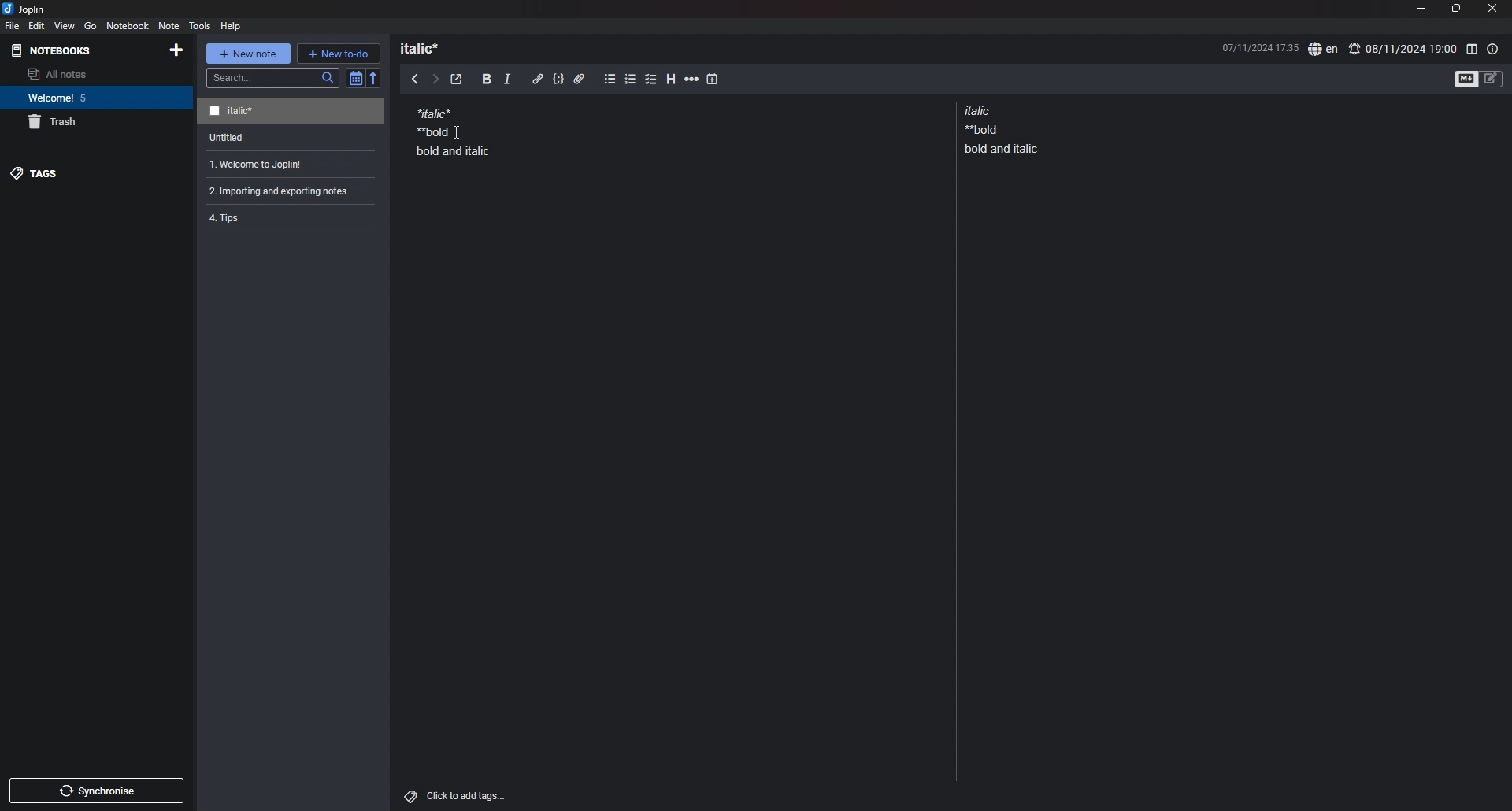 The width and height of the screenshot is (1512, 811). What do you see at coordinates (98, 791) in the screenshot?
I see `sync` at bounding box center [98, 791].